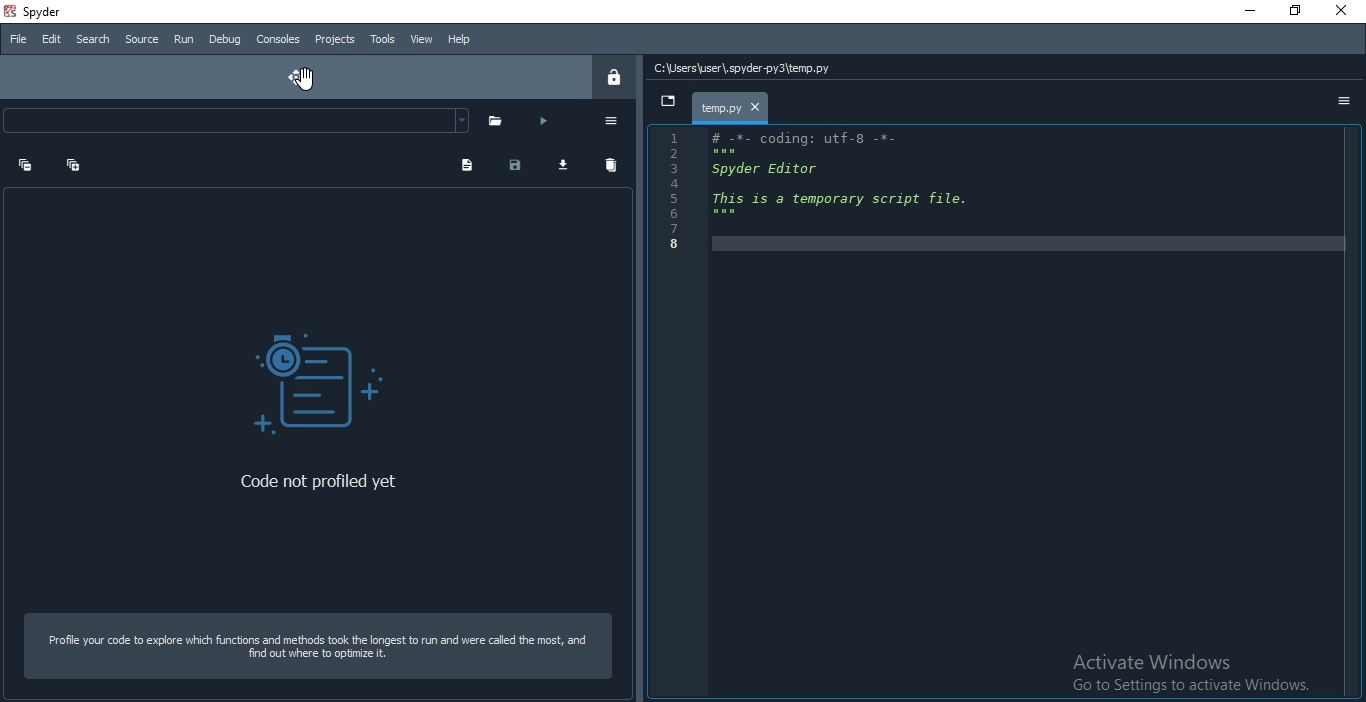 The width and height of the screenshot is (1366, 702). Describe the element at coordinates (1343, 11) in the screenshot. I see `Close` at that location.